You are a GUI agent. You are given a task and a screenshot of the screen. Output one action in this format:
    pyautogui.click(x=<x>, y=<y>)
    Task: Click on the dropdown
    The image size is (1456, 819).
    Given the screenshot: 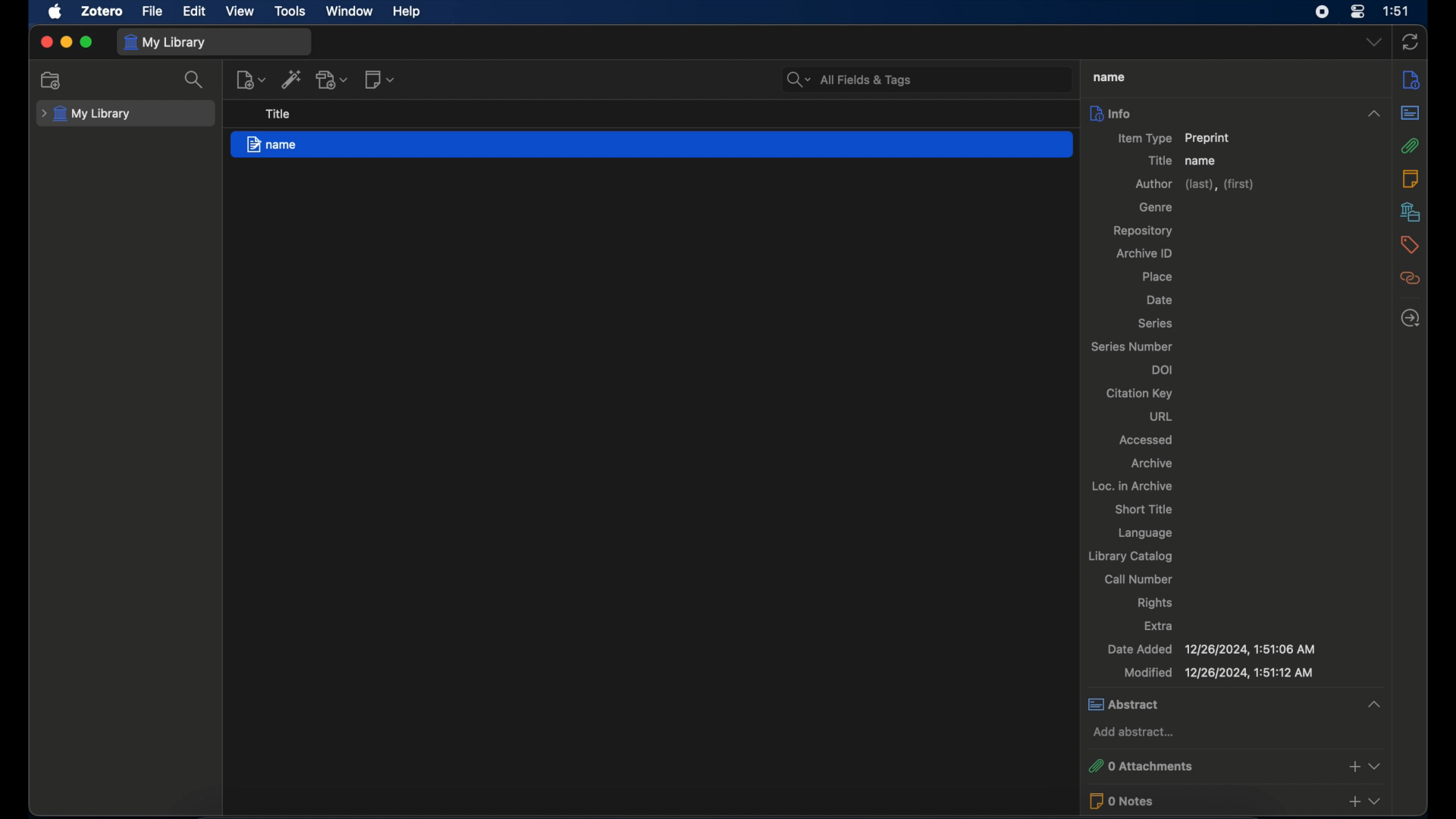 What is the action you would take?
    pyautogui.click(x=1373, y=41)
    